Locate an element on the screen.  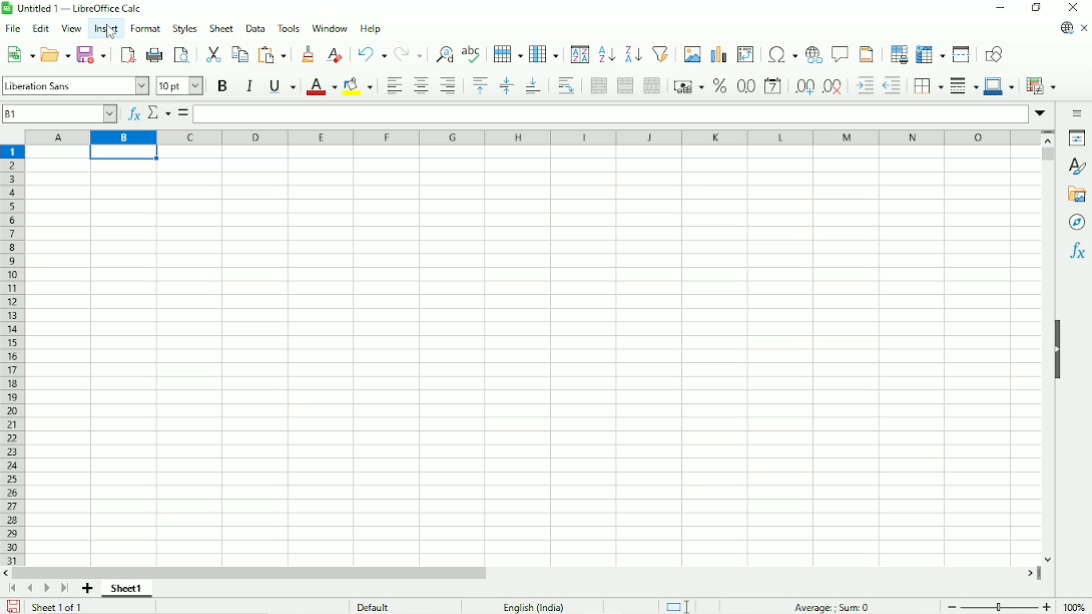
Auto filter is located at coordinates (659, 54).